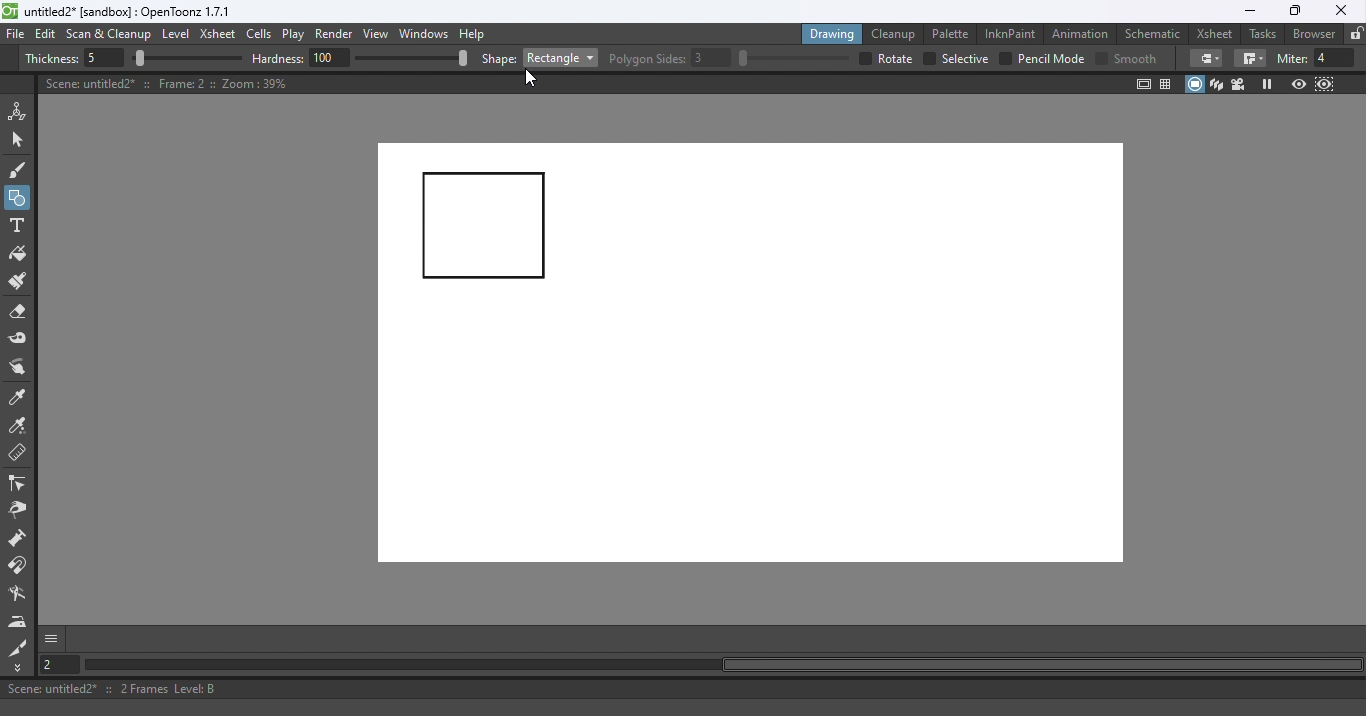  Describe the element at coordinates (51, 638) in the screenshot. I see `More options` at that location.